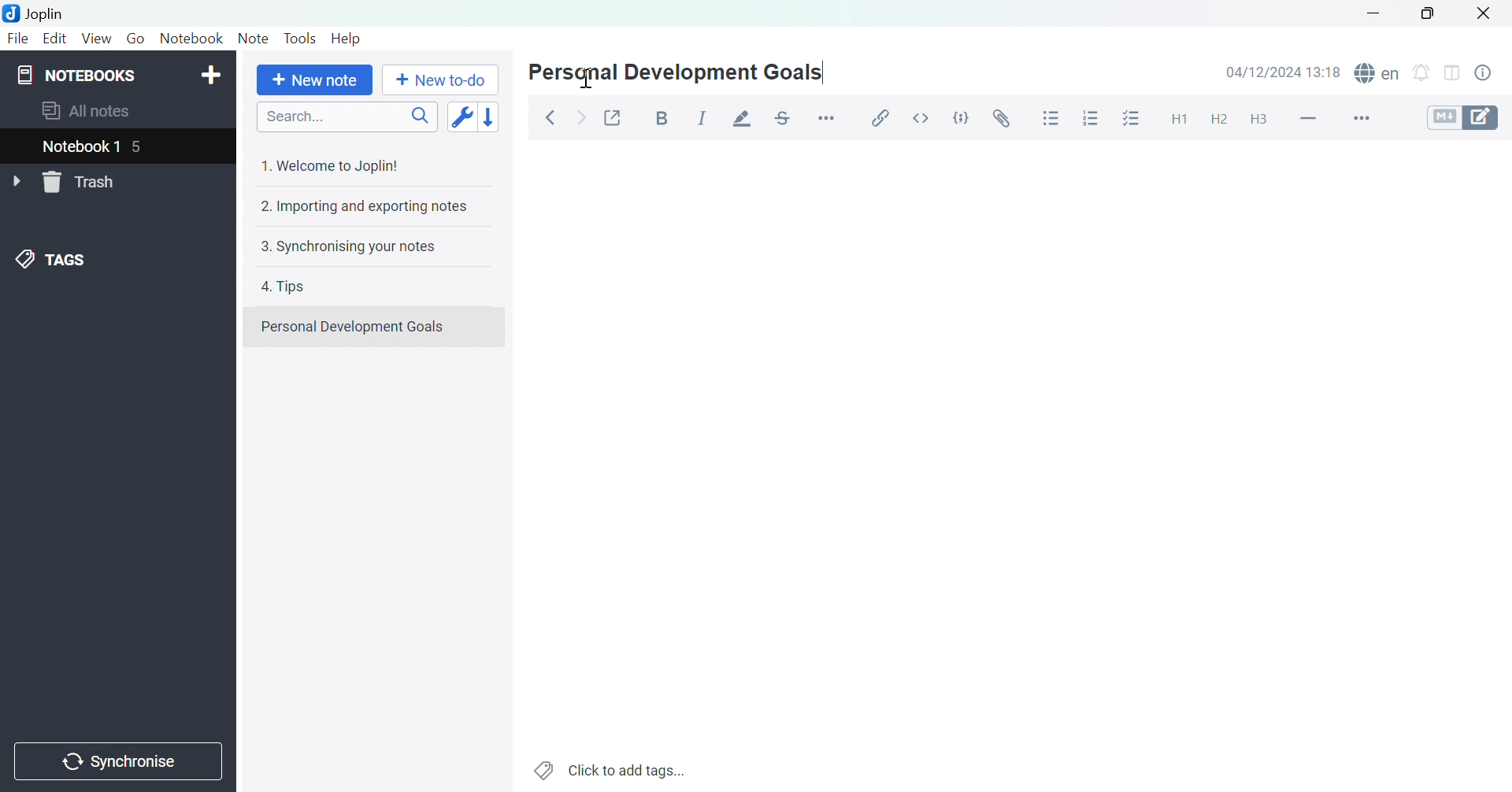  What do you see at coordinates (336, 165) in the screenshot?
I see `1. Welcome to Joplin!` at bounding box center [336, 165].